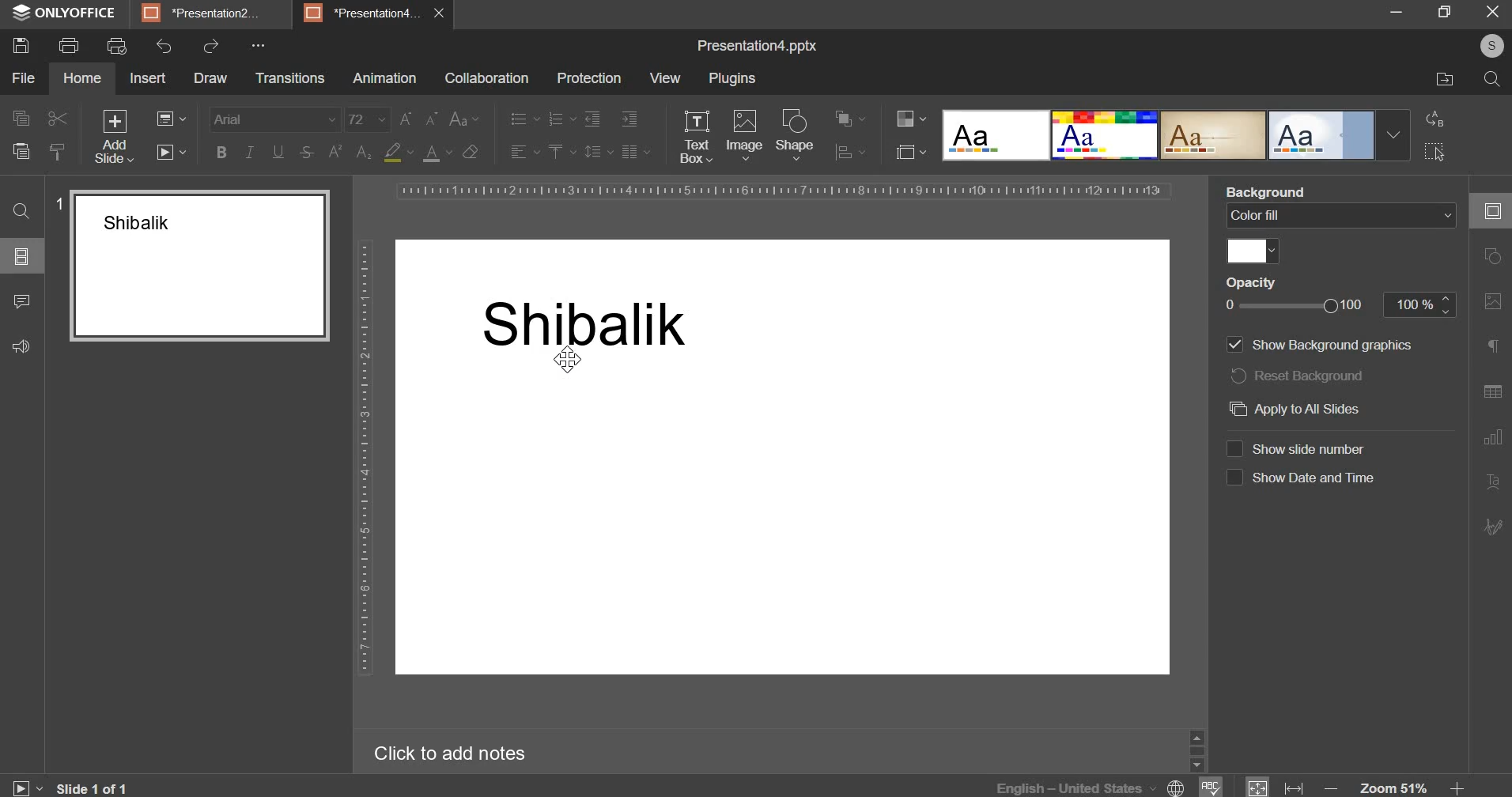  Describe the element at coordinates (365, 458) in the screenshot. I see `vertical scale` at that location.